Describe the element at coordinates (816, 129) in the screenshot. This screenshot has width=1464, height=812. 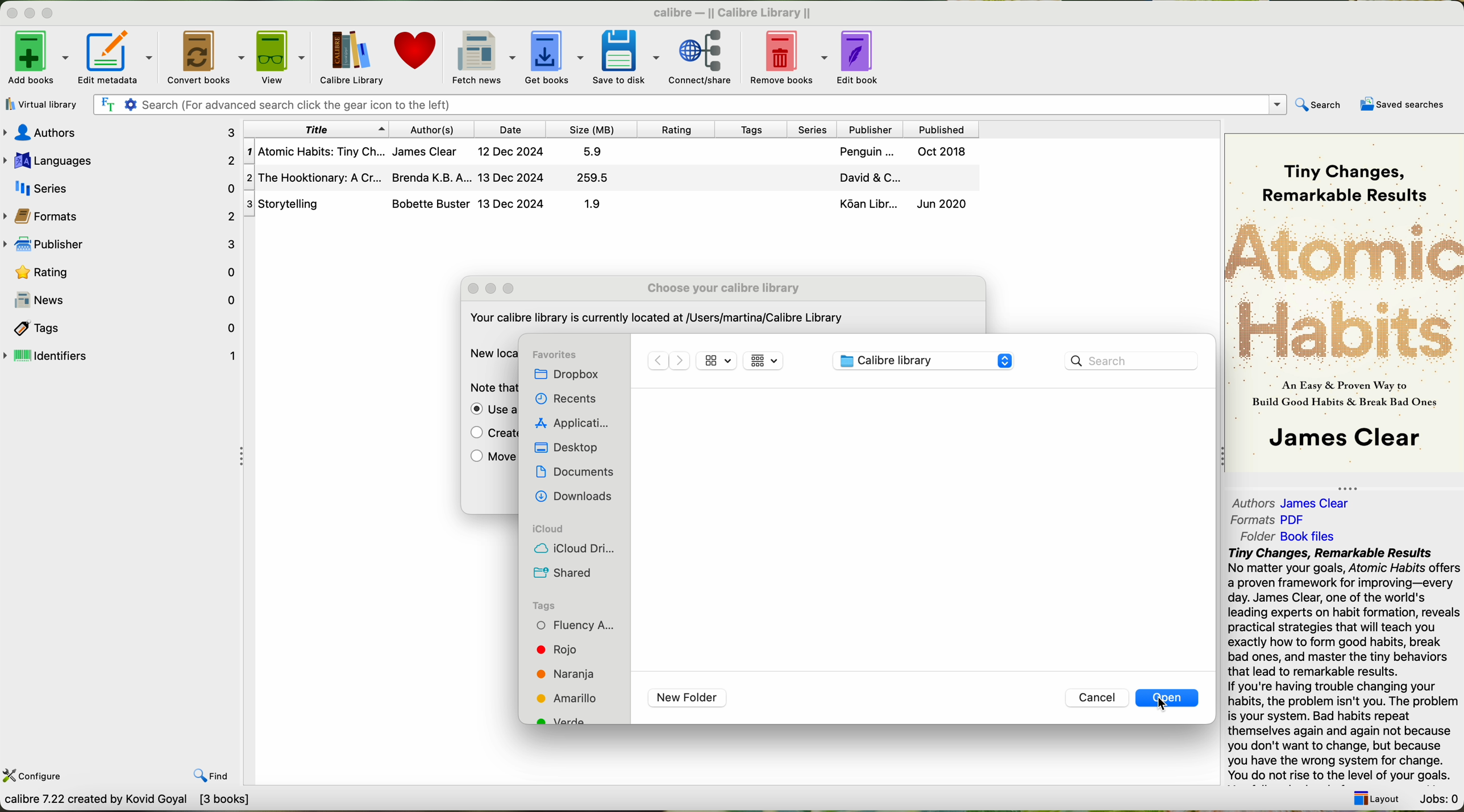
I see `series` at that location.